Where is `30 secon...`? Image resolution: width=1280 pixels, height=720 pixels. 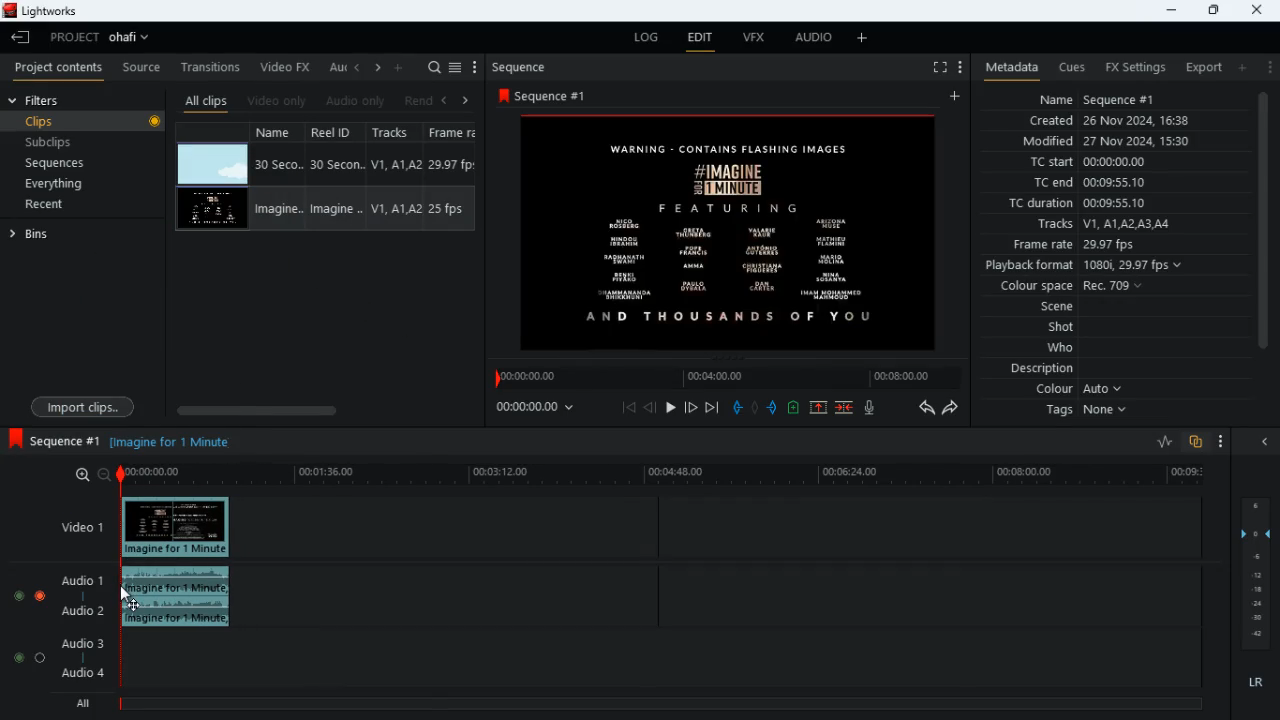
30 secon... is located at coordinates (334, 165).